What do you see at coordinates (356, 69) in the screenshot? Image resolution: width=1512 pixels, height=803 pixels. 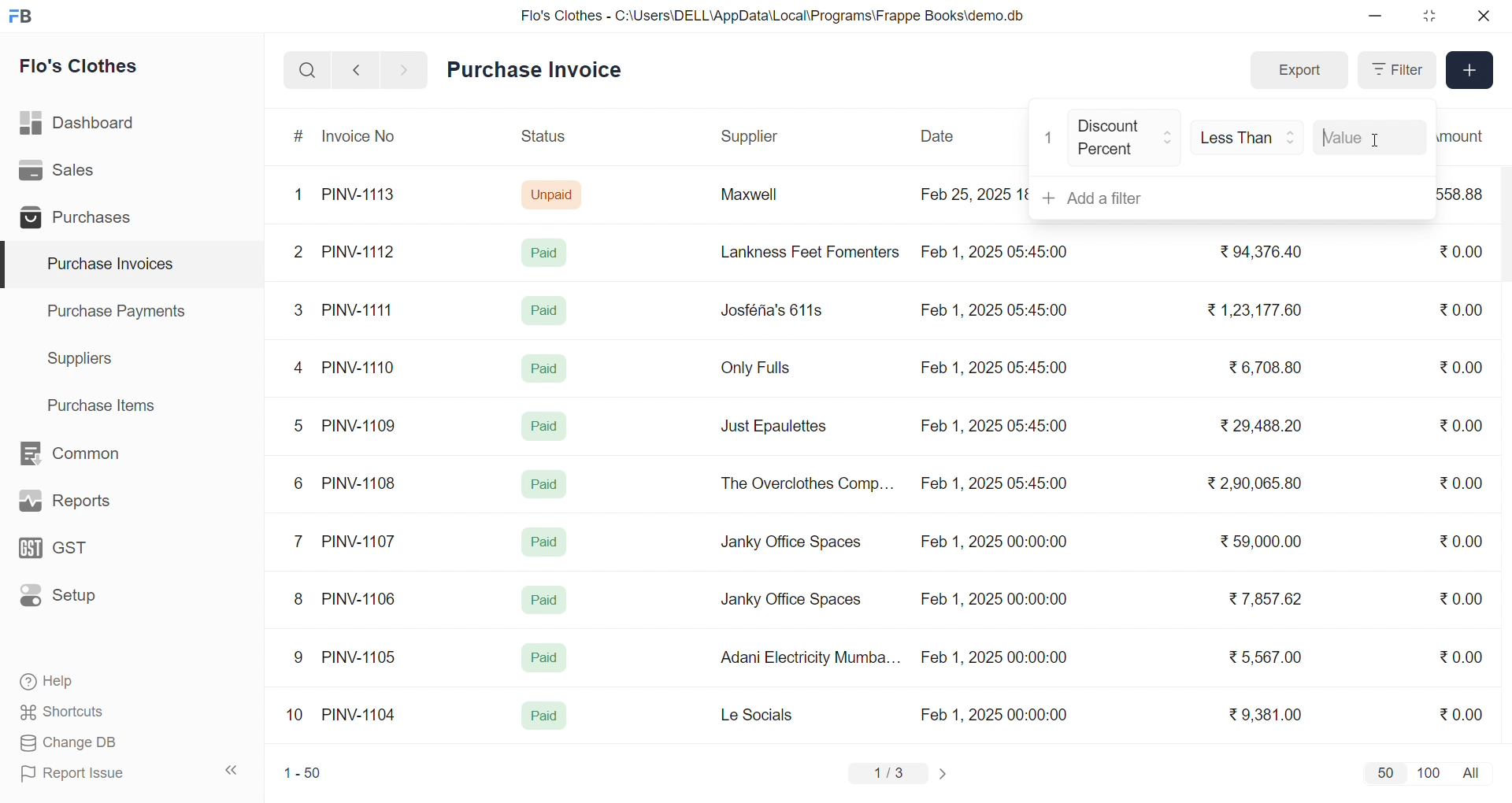 I see `navigate backward` at bounding box center [356, 69].